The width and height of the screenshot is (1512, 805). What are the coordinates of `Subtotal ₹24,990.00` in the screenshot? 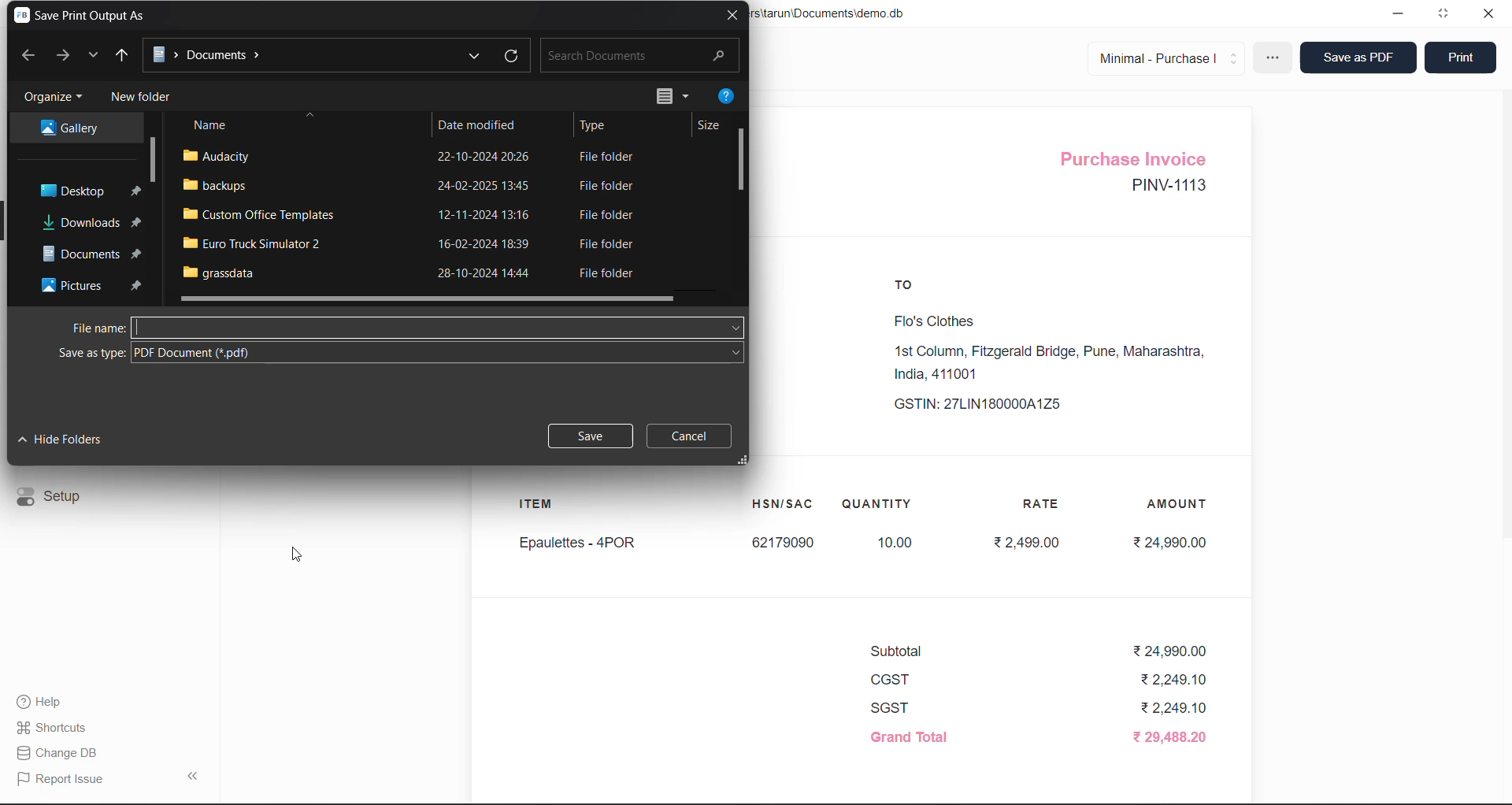 It's located at (1036, 653).